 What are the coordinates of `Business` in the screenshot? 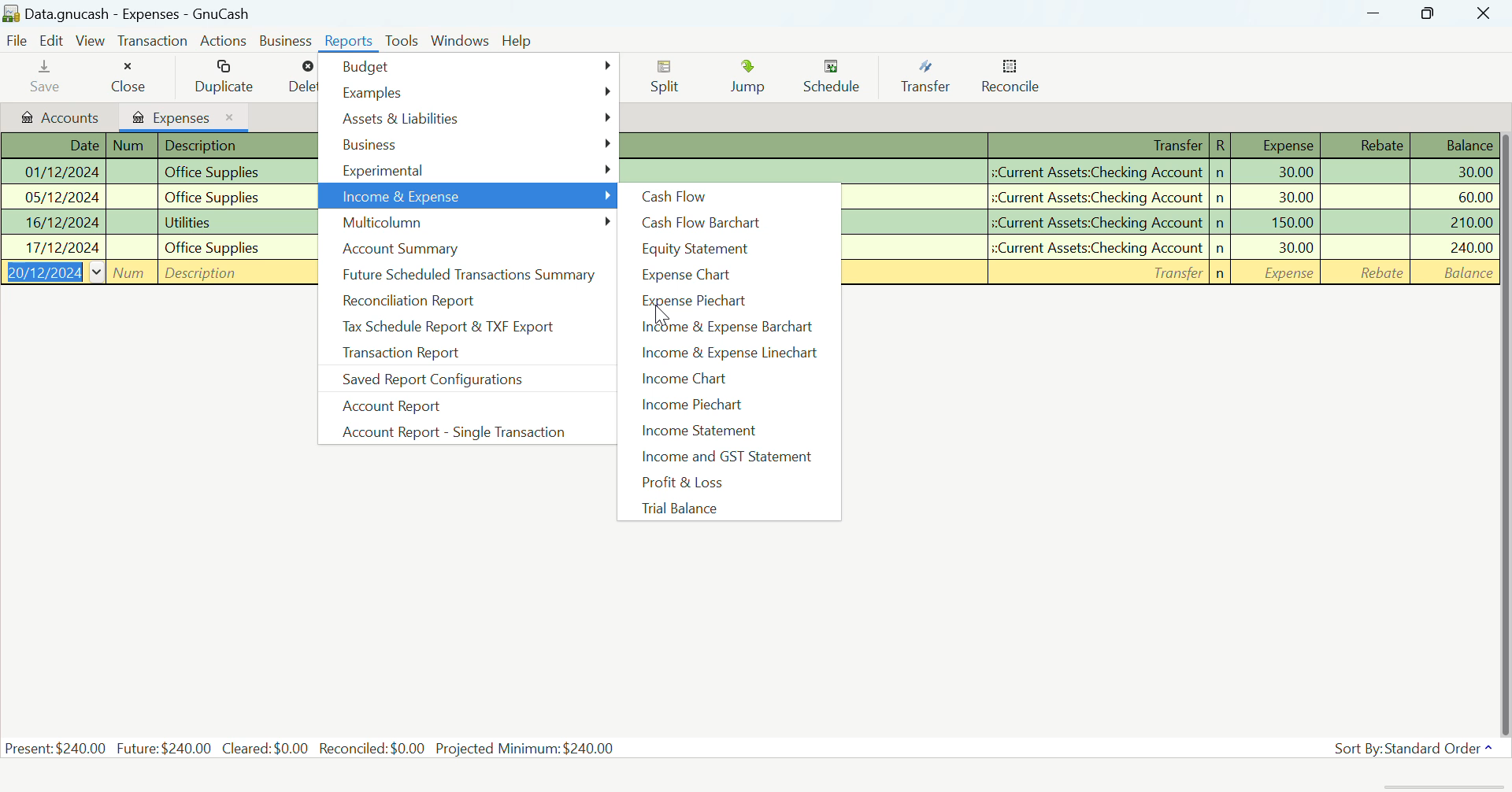 It's located at (285, 40).